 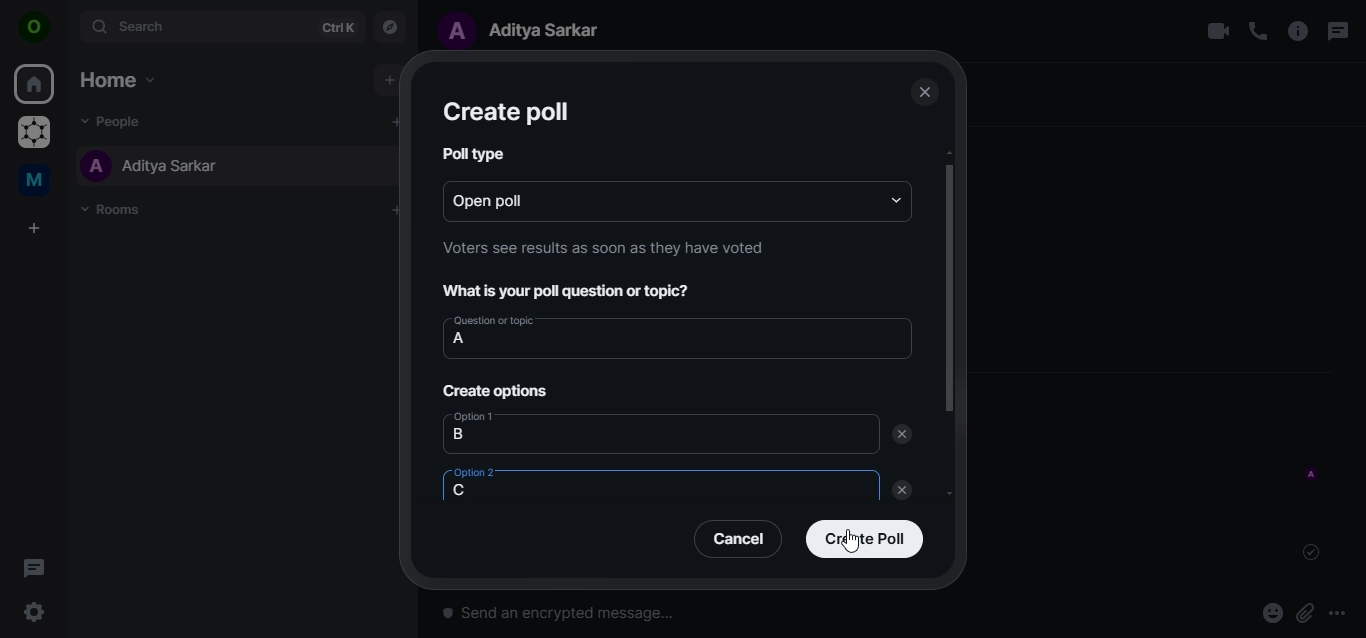 What do you see at coordinates (906, 492) in the screenshot?
I see `delete` at bounding box center [906, 492].